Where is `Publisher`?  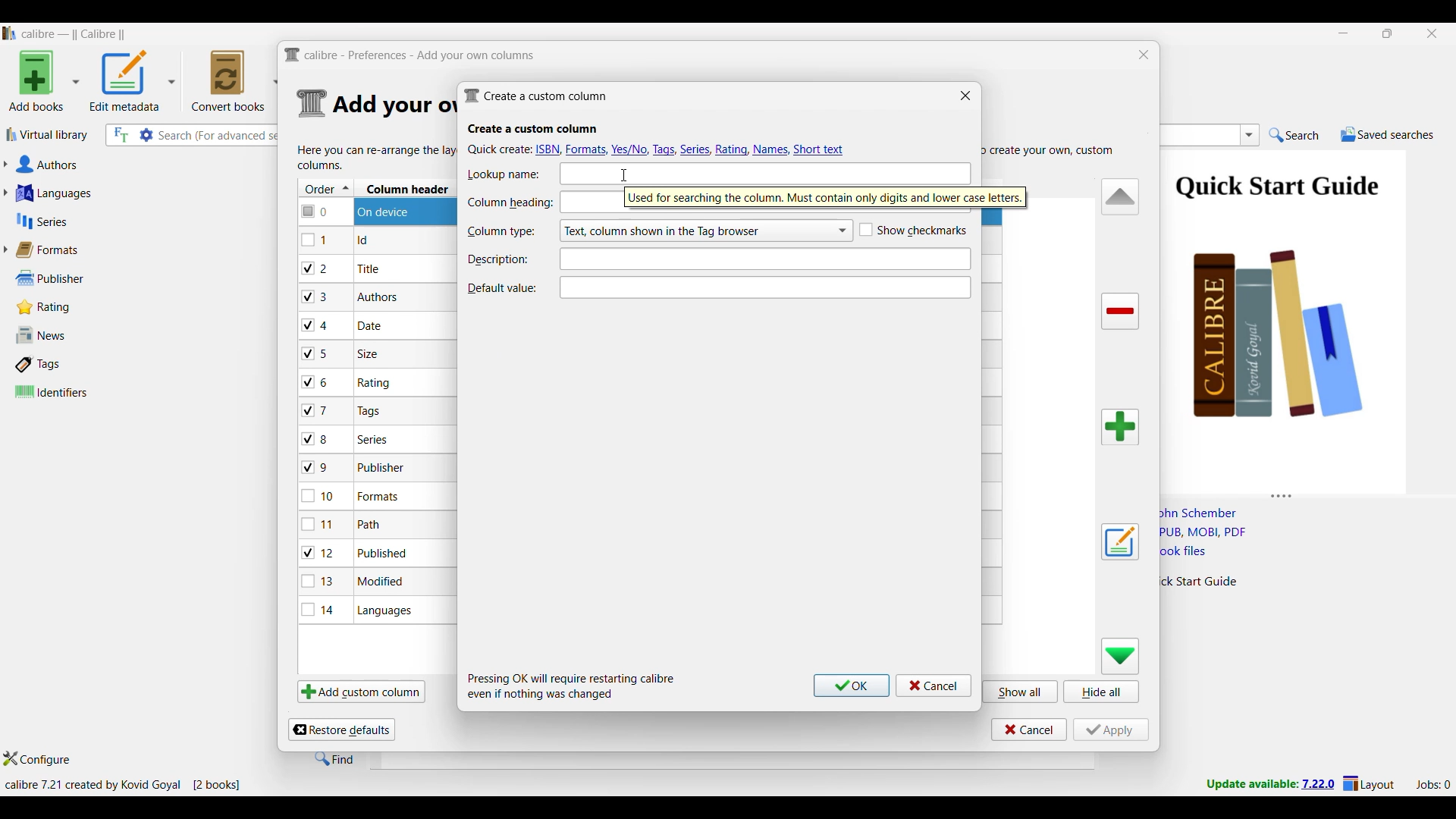 Publisher is located at coordinates (67, 278).